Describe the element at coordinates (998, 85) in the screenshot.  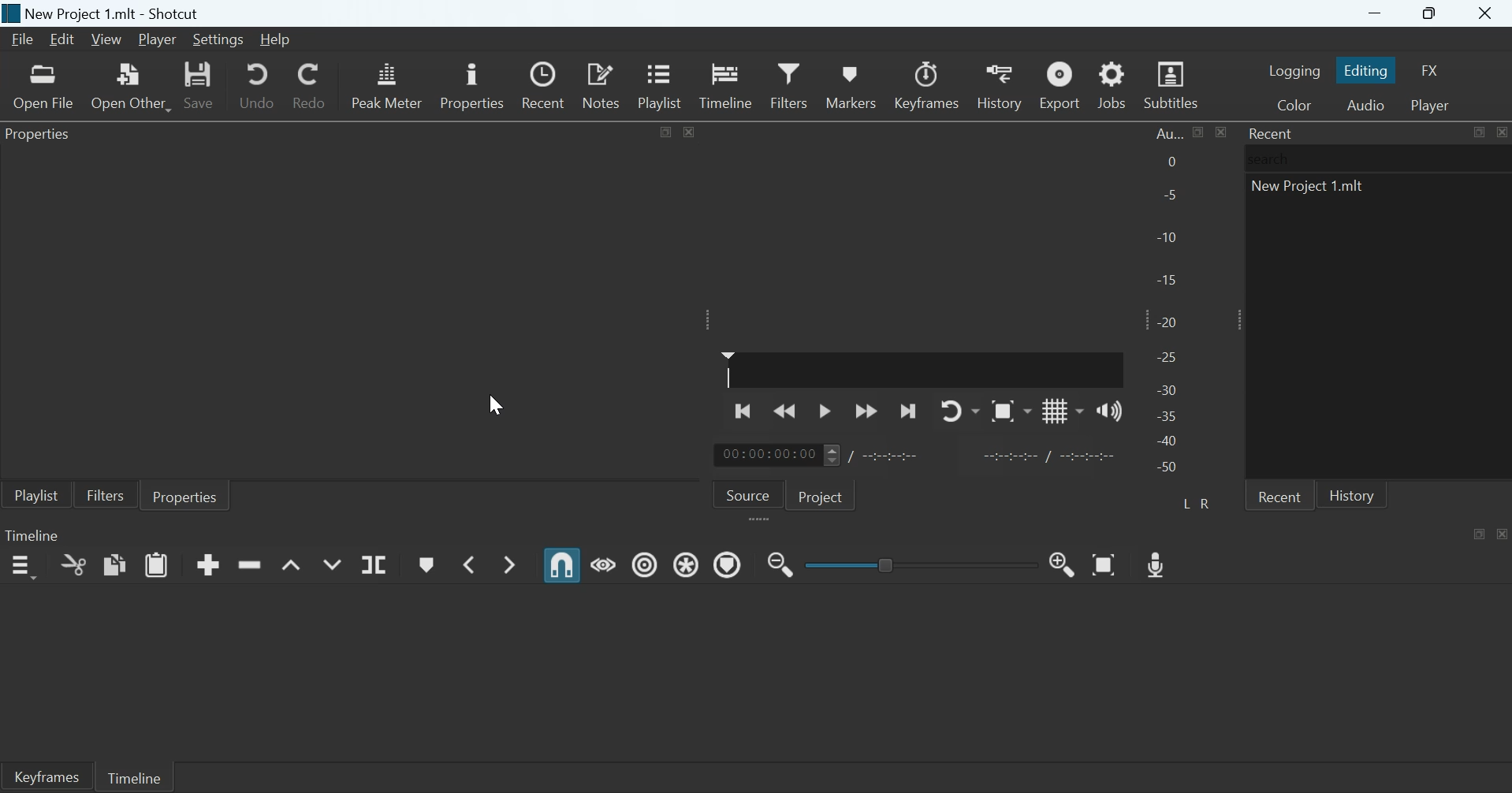
I see `History` at that location.